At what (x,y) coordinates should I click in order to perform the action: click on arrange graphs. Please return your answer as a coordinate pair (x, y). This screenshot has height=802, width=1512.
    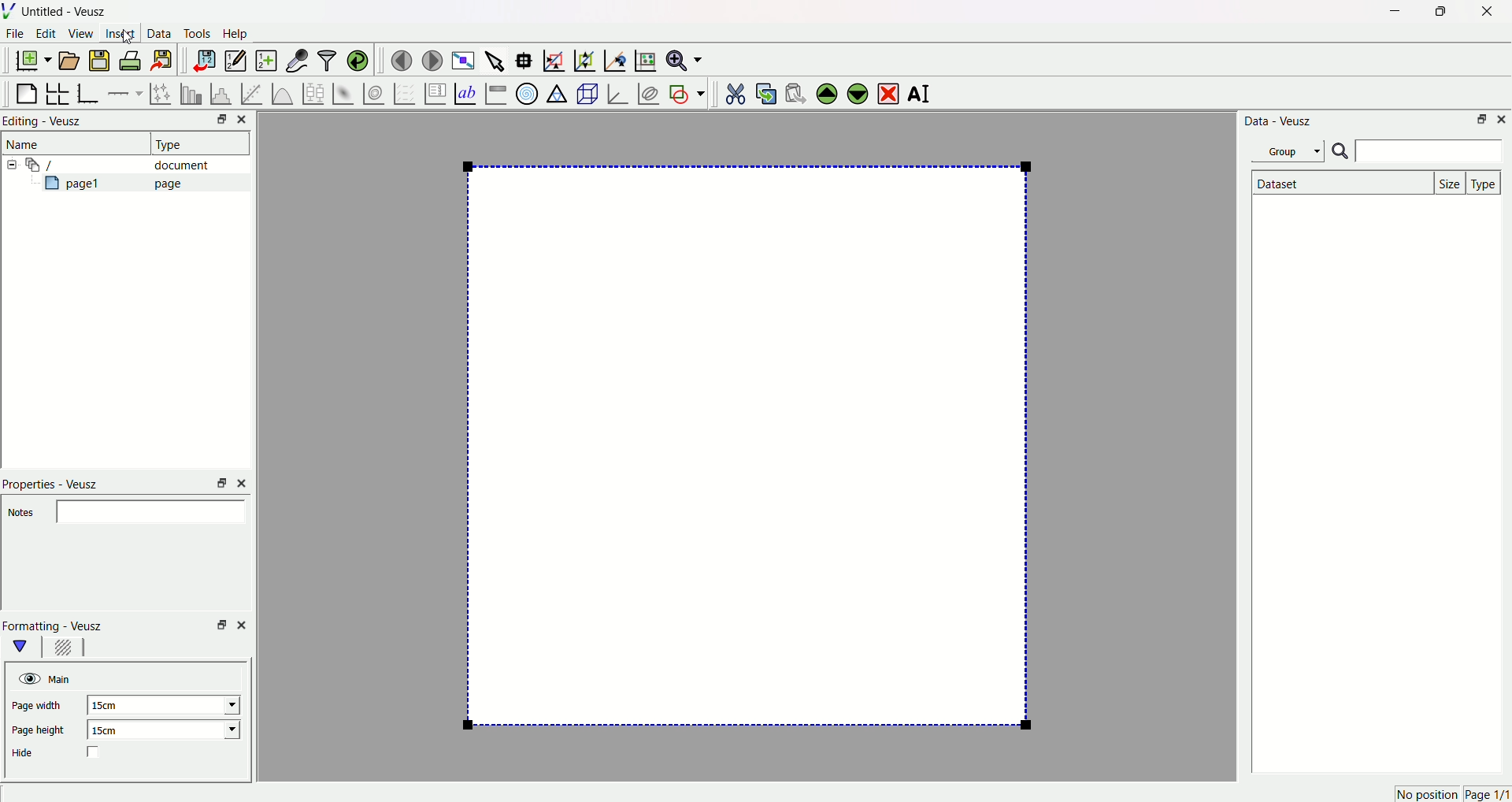
    Looking at the image, I should click on (60, 91).